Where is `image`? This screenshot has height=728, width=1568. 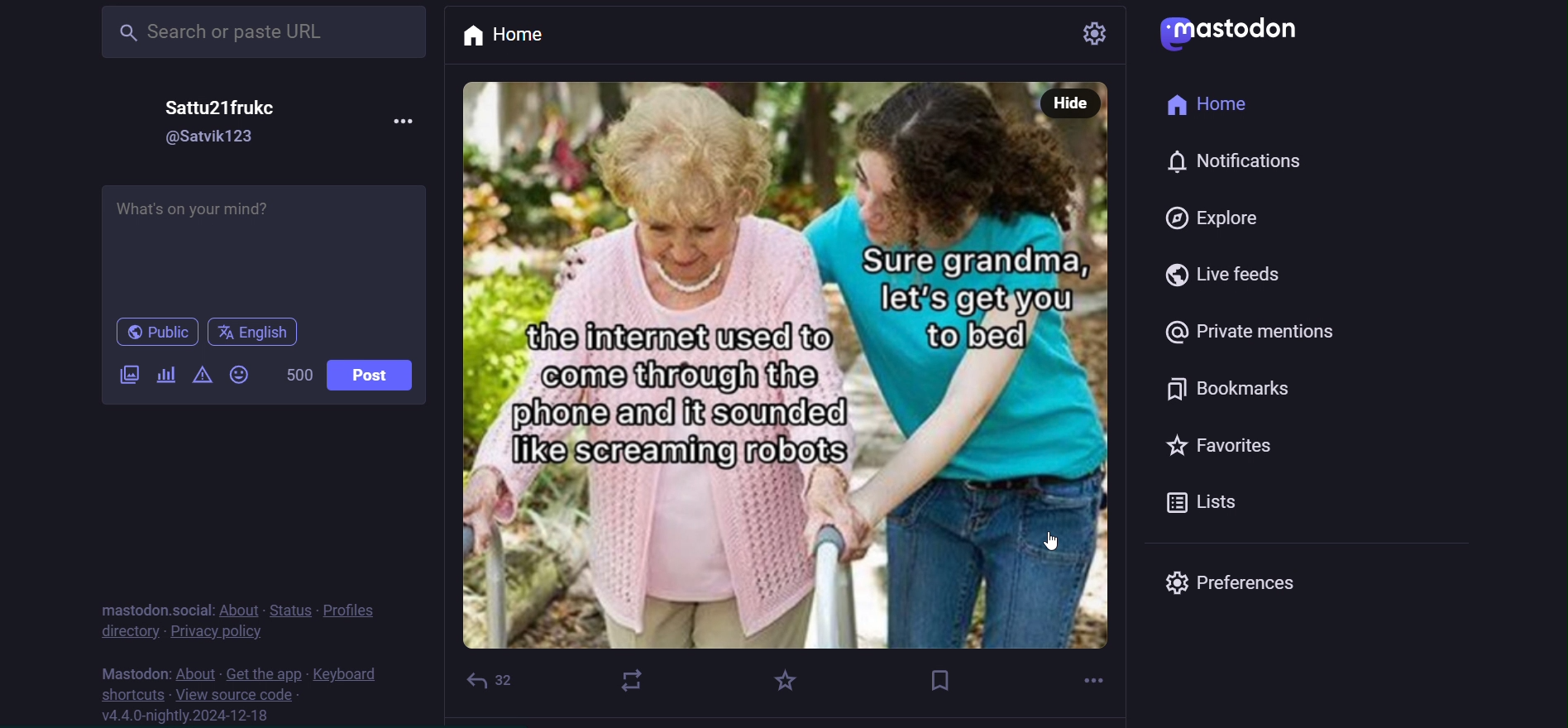
image is located at coordinates (790, 384).